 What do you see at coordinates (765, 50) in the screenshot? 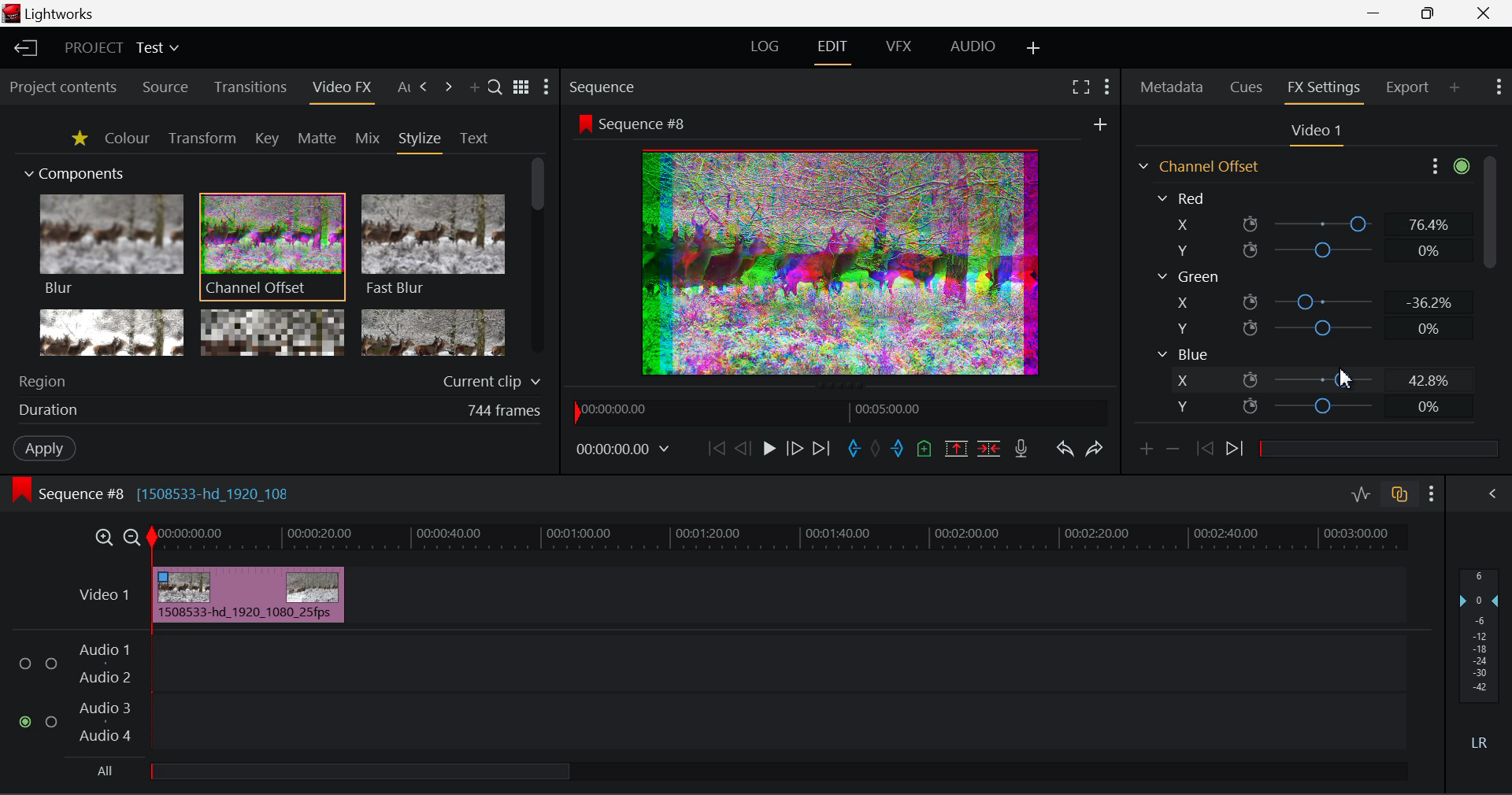
I see `LOG Layout` at bounding box center [765, 50].